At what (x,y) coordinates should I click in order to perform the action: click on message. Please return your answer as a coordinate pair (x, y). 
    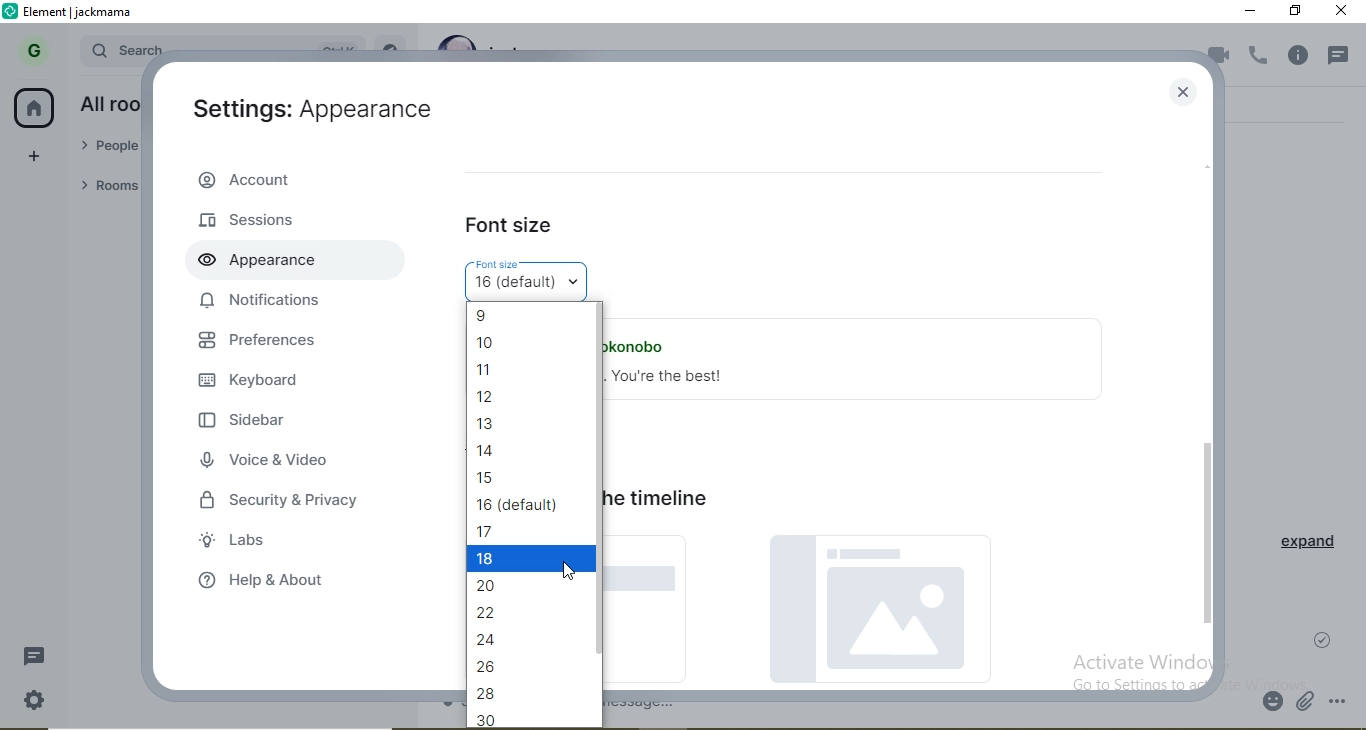
    Looking at the image, I should click on (40, 656).